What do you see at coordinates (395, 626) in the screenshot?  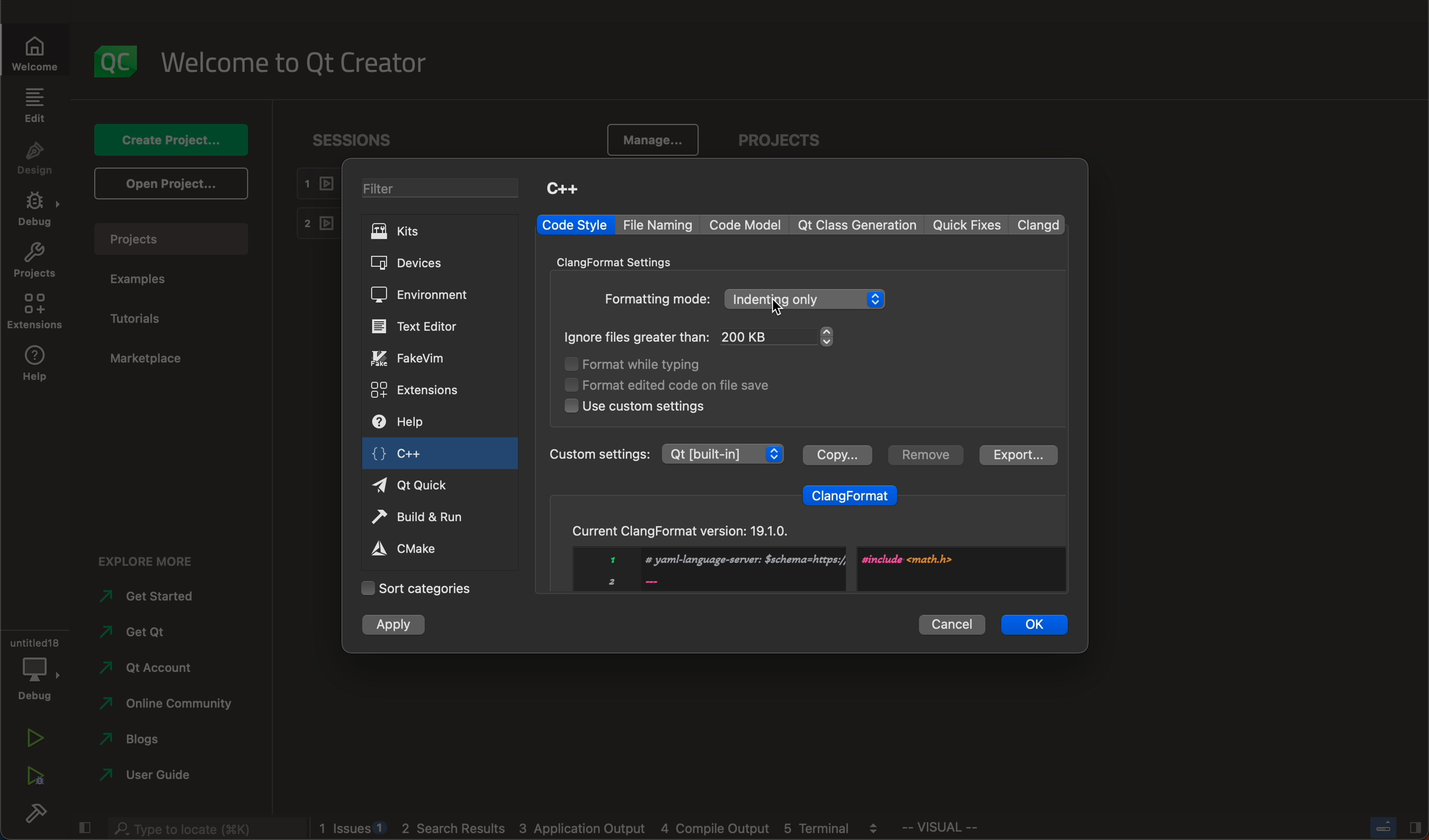 I see `apply` at bounding box center [395, 626].